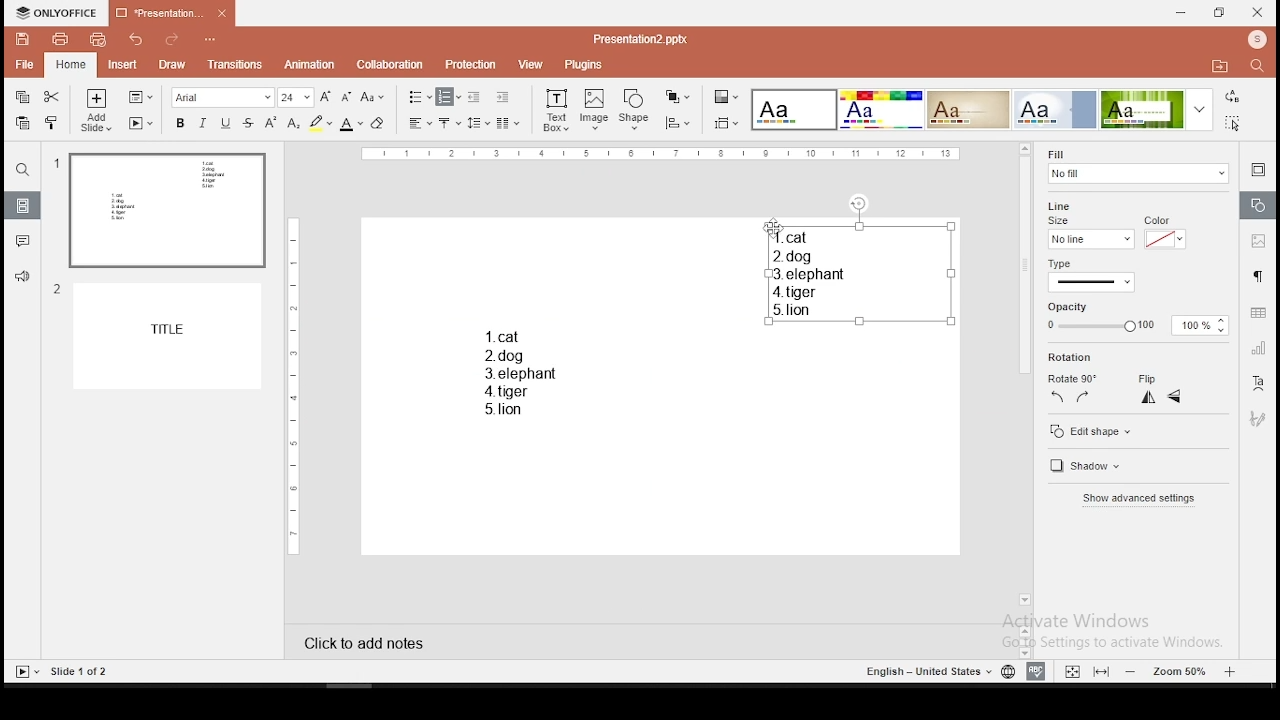  I want to click on copy, so click(23, 97).